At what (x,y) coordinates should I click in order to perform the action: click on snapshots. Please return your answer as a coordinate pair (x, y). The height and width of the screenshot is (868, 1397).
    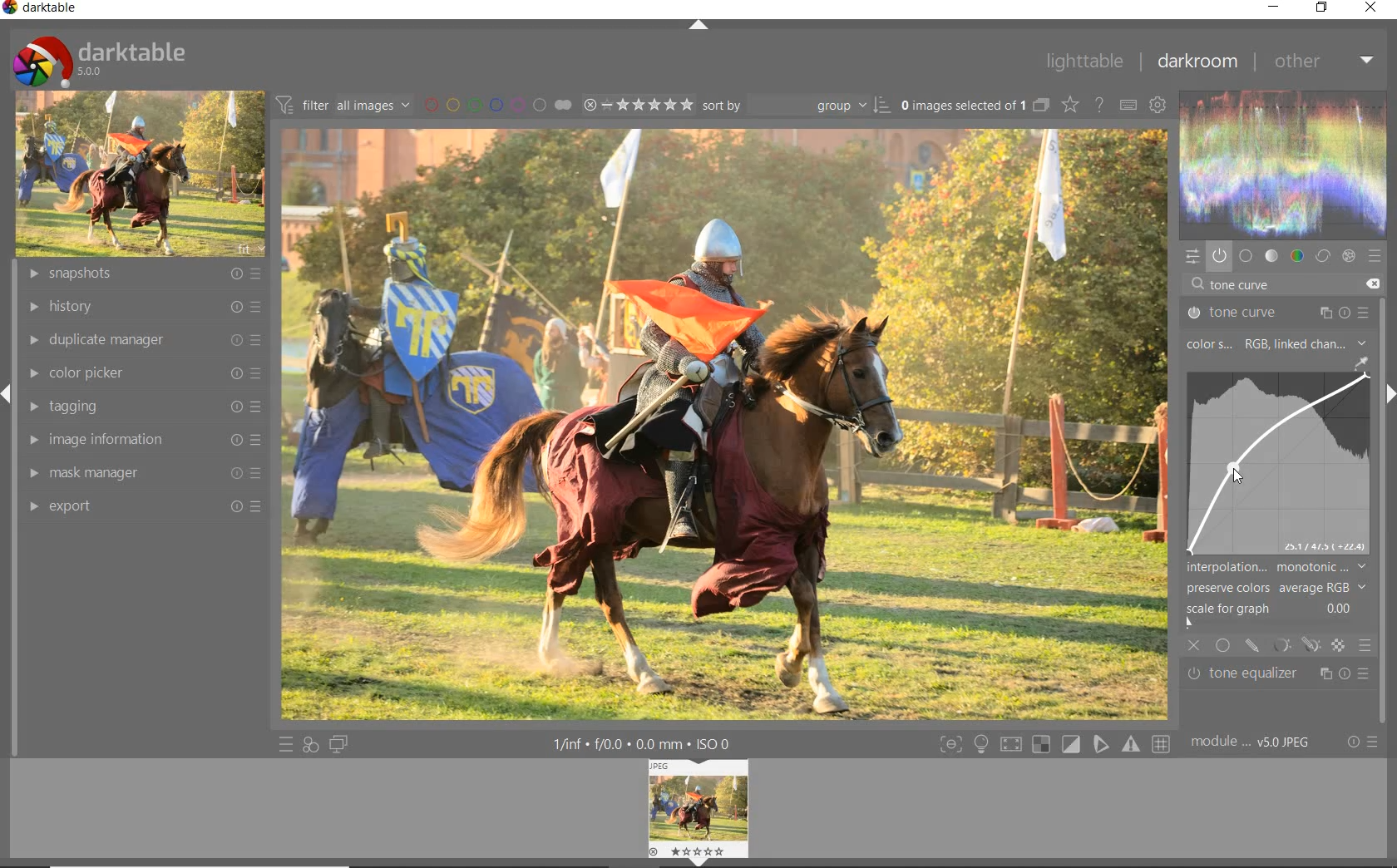
    Looking at the image, I should click on (146, 274).